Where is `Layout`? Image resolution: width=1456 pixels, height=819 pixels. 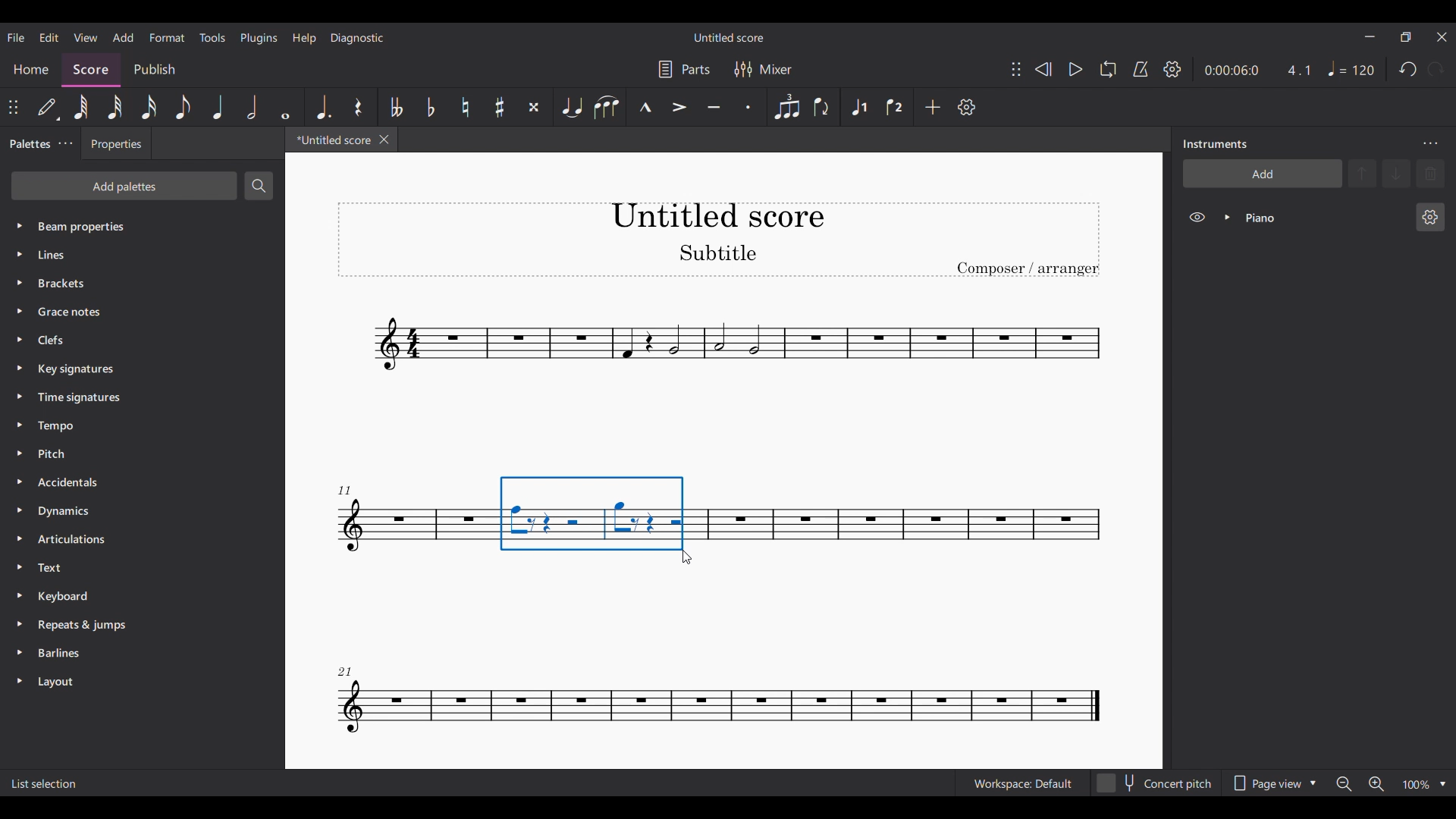
Layout is located at coordinates (130, 682).